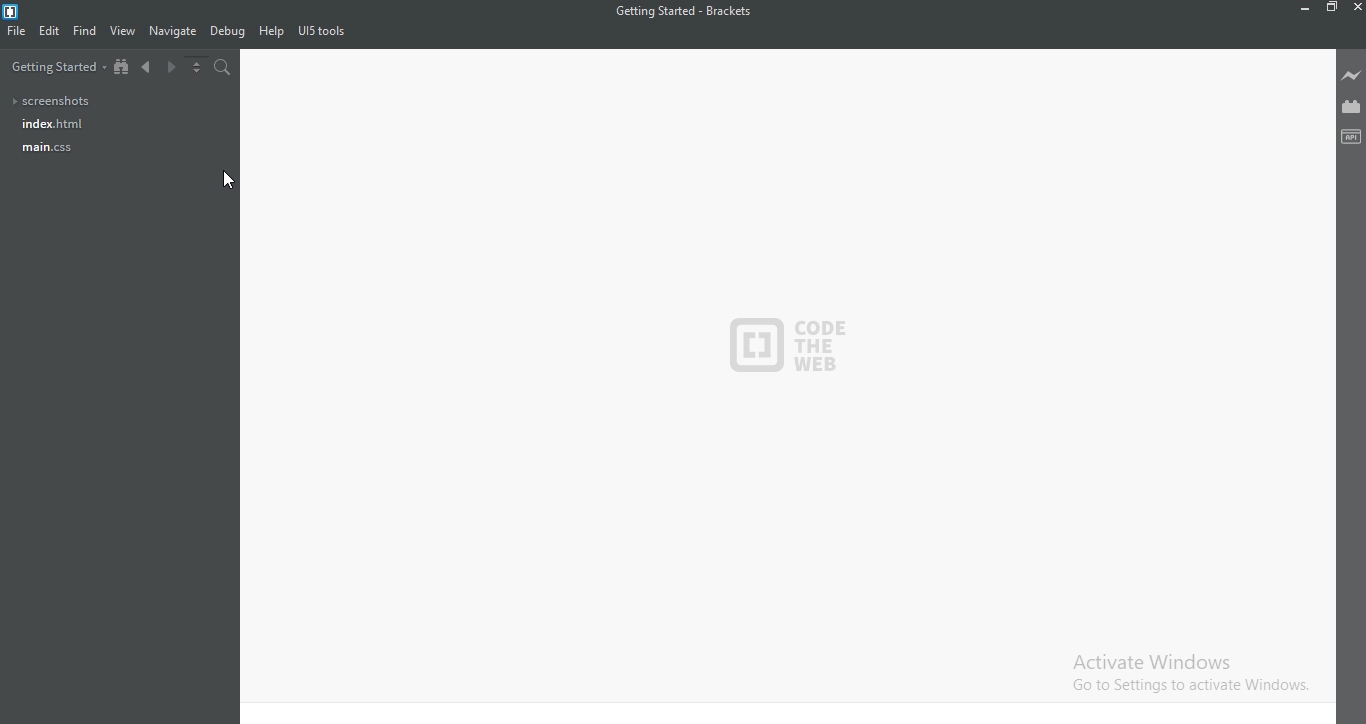 The image size is (1366, 724). What do you see at coordinates (121, 69) in the screenshot?
I see `Show file tree` at bounding box center [121, 69].